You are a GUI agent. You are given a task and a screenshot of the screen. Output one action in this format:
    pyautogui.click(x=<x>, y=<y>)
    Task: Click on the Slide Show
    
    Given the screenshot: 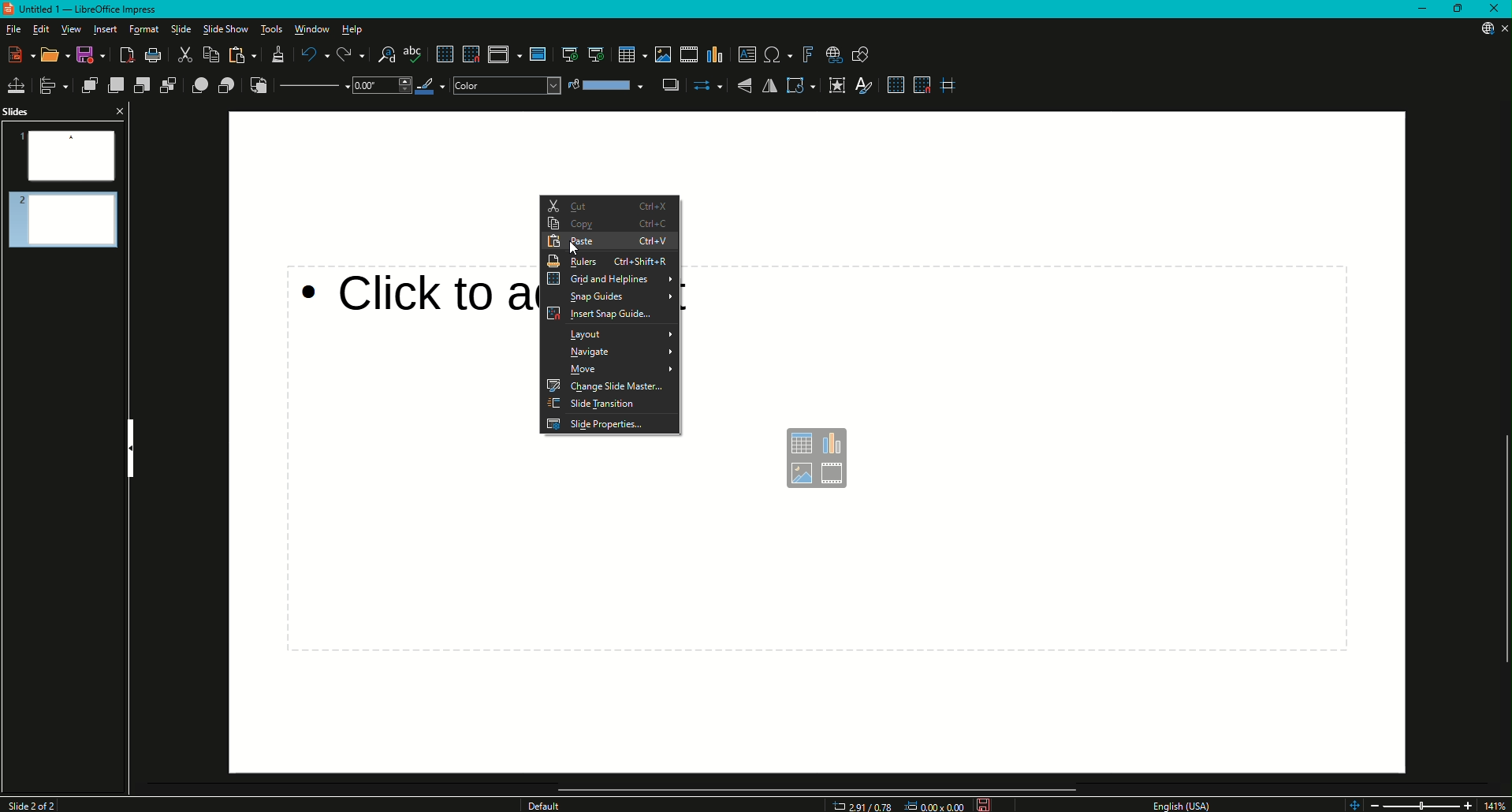 What is the action you would take?
    pyautogui.click(x=226, y=30)
    